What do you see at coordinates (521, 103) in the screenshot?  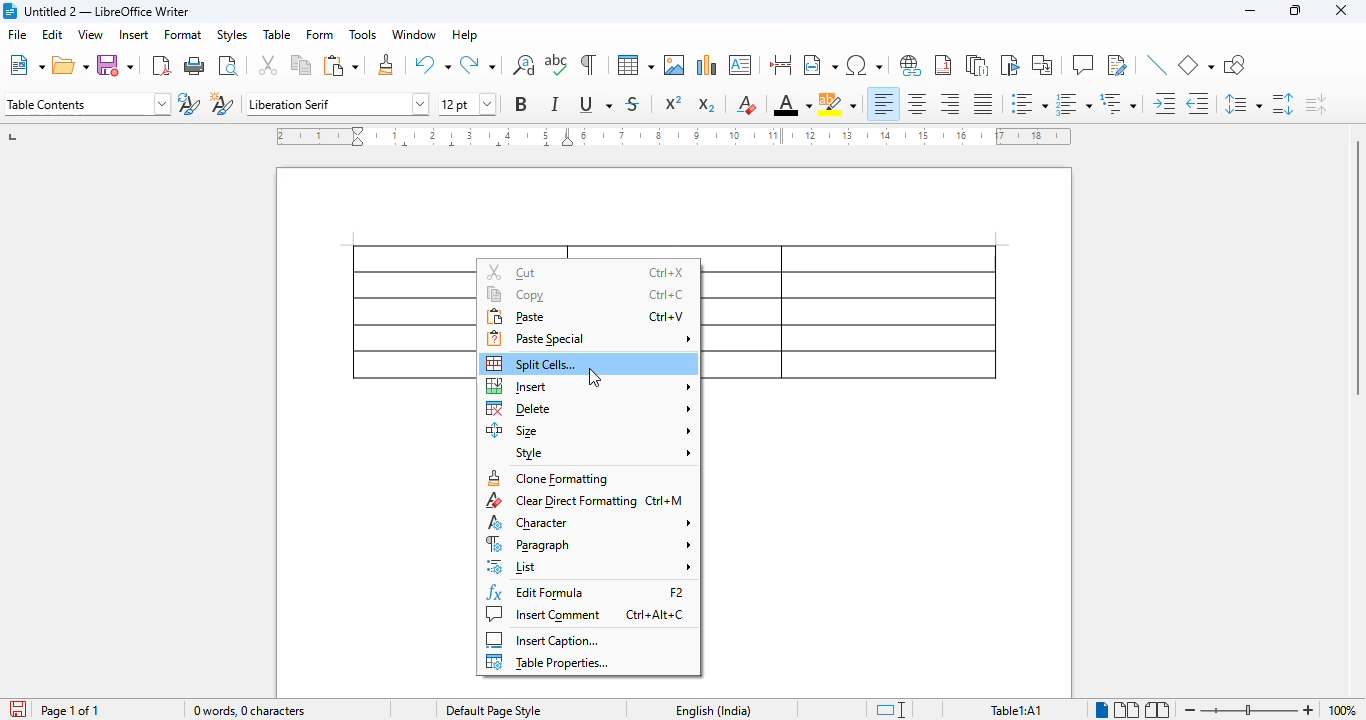 I see `bold` at bounding box center [521, 103].